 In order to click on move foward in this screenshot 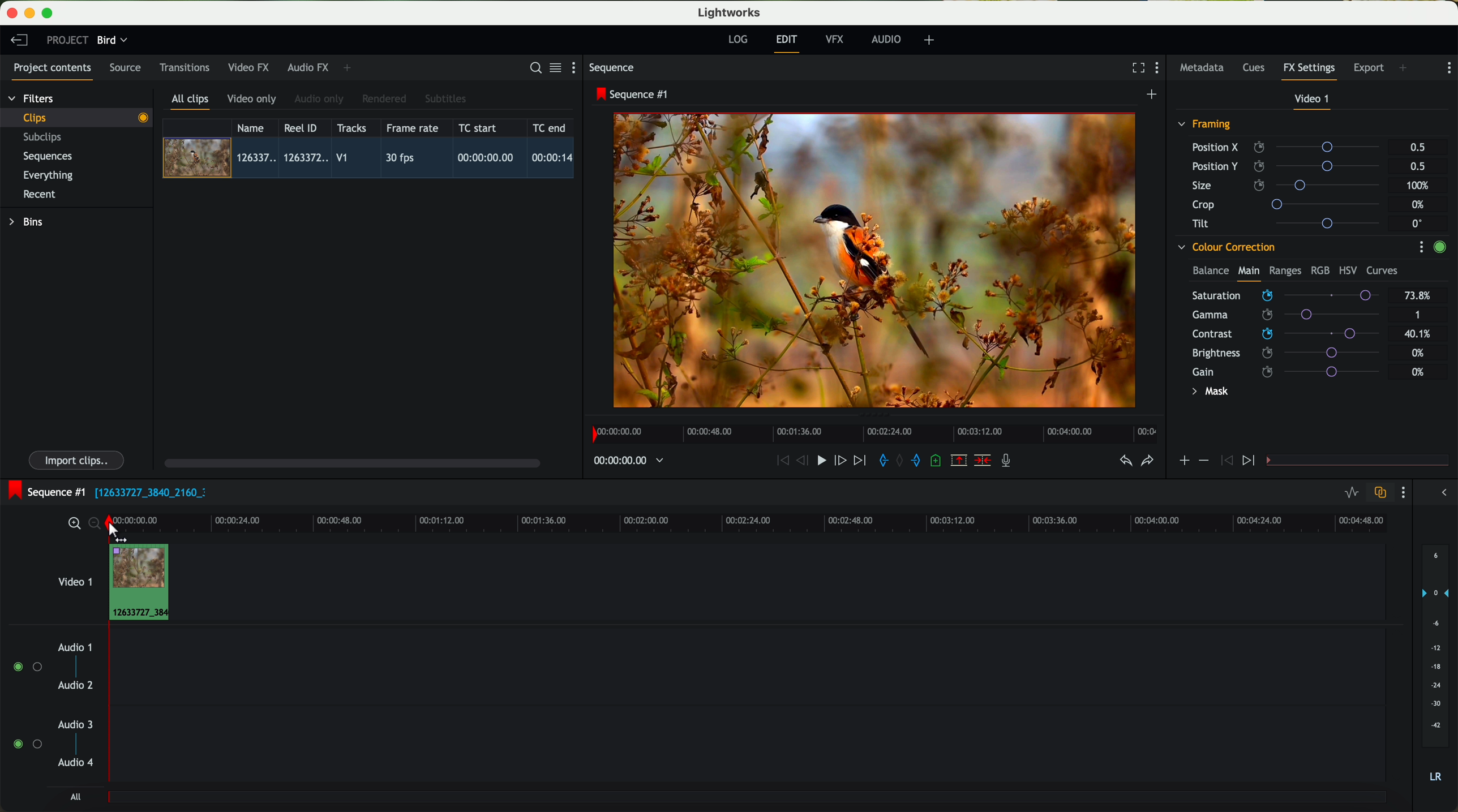, I will do `click(859, 461)`.